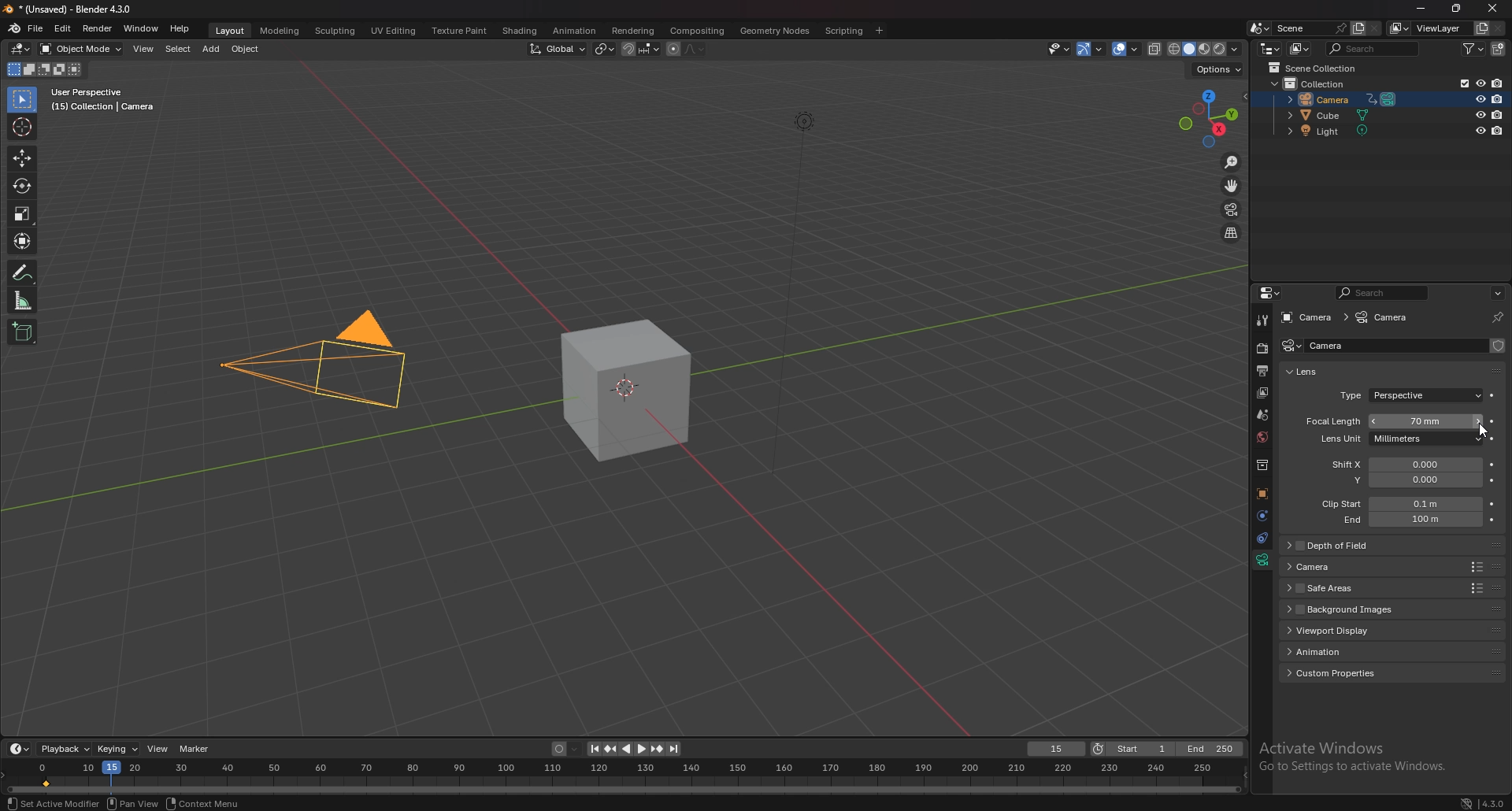 The height and width of the screenshot is (811, 1512). I want to click on compositing, so click(698, 31).